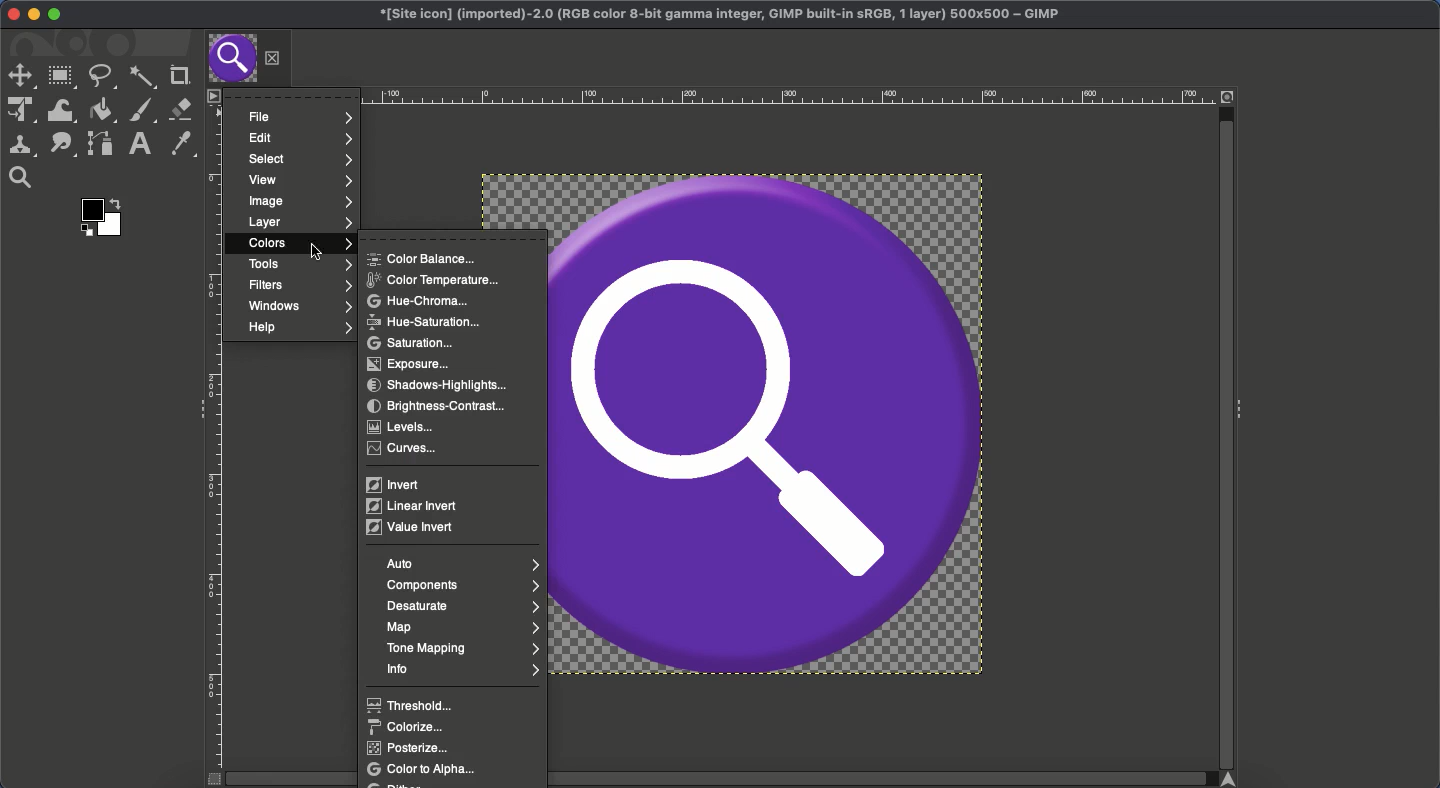 This screenshot has height=788, width=1440. Describe the element at coordinates (460, 585) in the screenshot. I see `Components` at that location.